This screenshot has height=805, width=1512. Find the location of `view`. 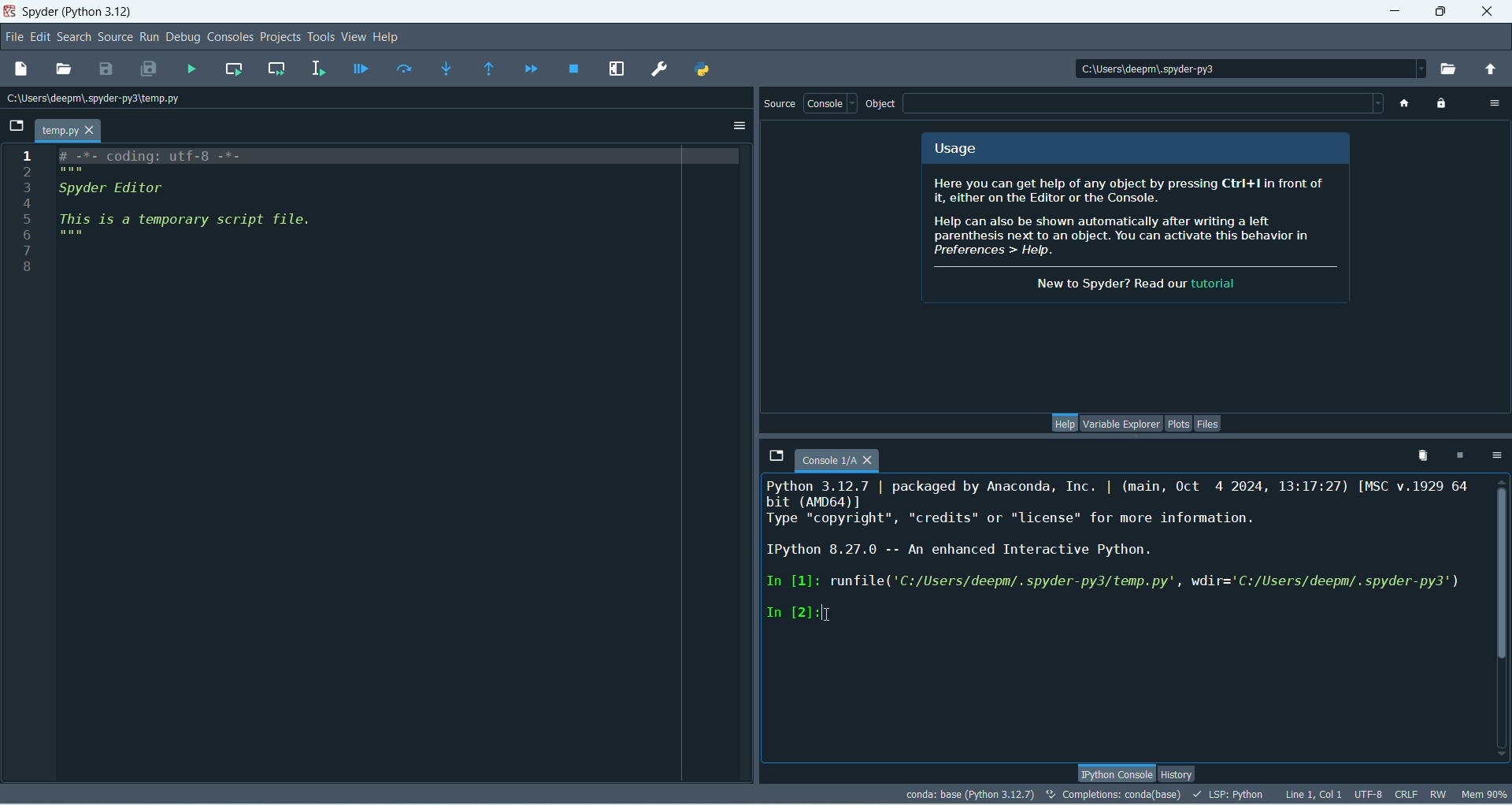

view is located at coordinates (356, 37).